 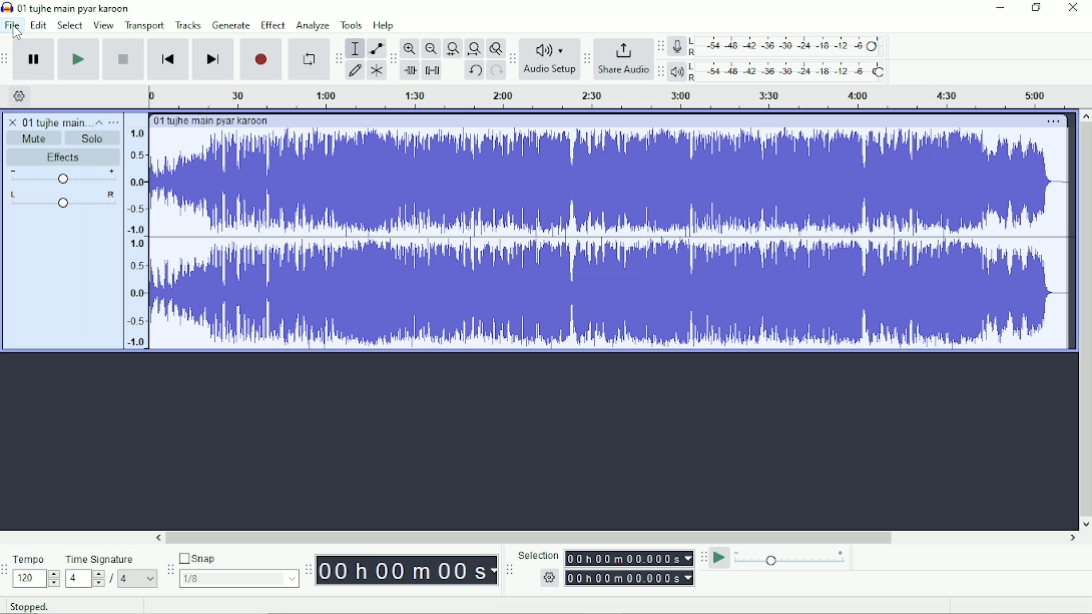 What do you see at coordinates (273, 25) in the screenshot?
I see `Effect` at bounding box center [273, 25].